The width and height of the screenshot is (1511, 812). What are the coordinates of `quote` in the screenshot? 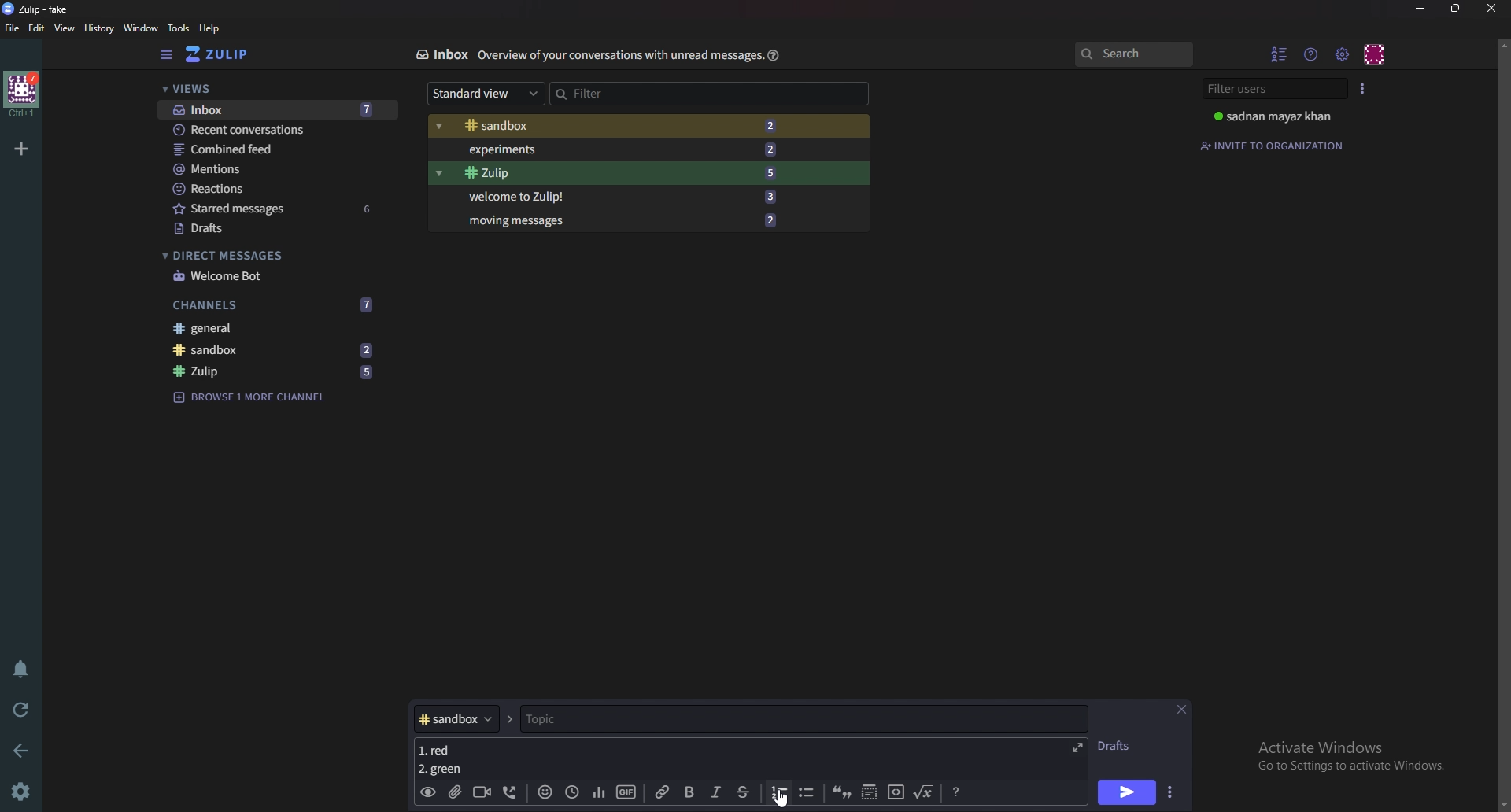 It's located at (843, 794).